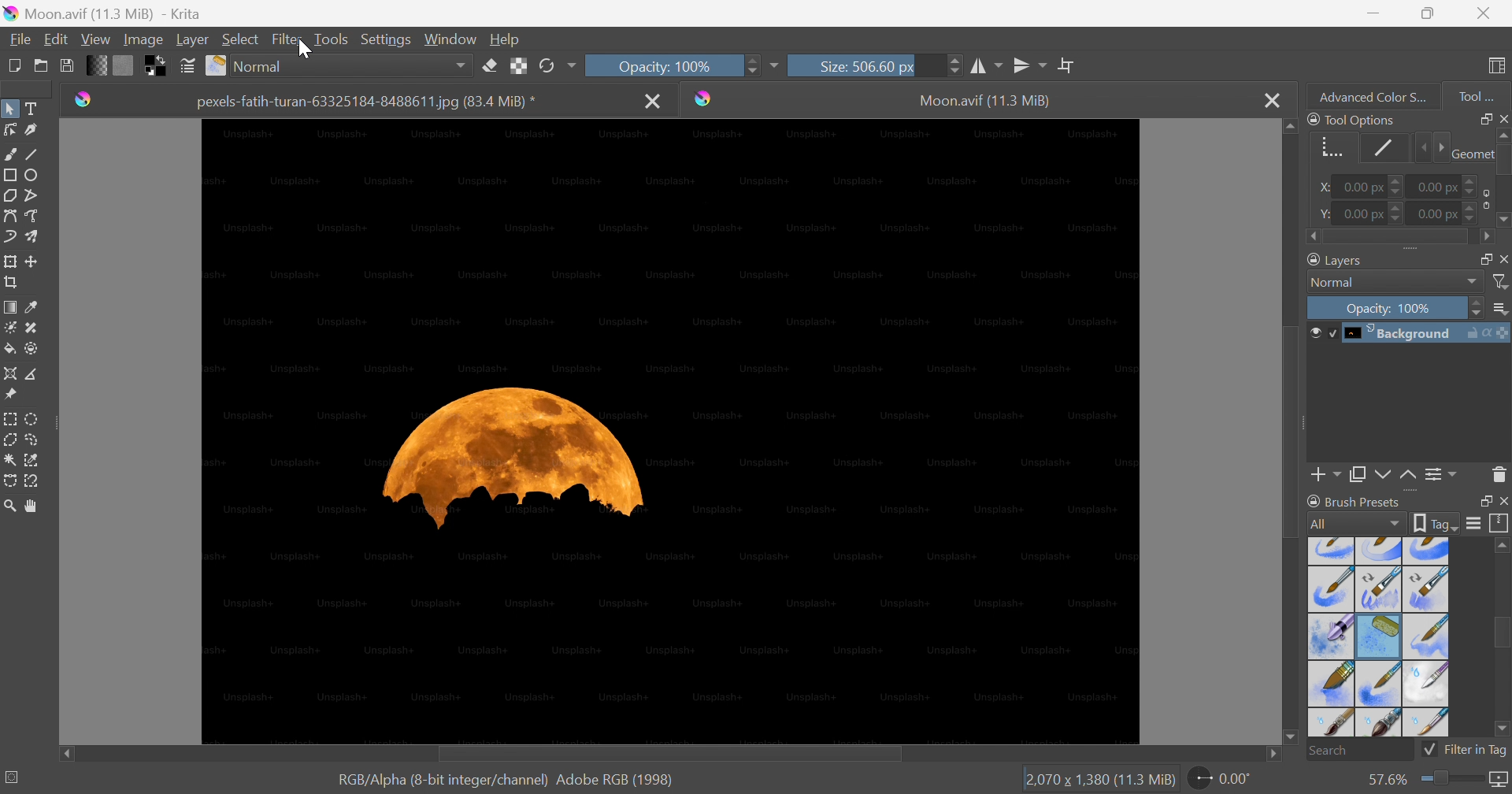 The height and width of the screenshot is (794, 1512). What do you see at coordinates (1503, 118) in the screenshot?
I see `Close` at bounding box center [1503, 118].